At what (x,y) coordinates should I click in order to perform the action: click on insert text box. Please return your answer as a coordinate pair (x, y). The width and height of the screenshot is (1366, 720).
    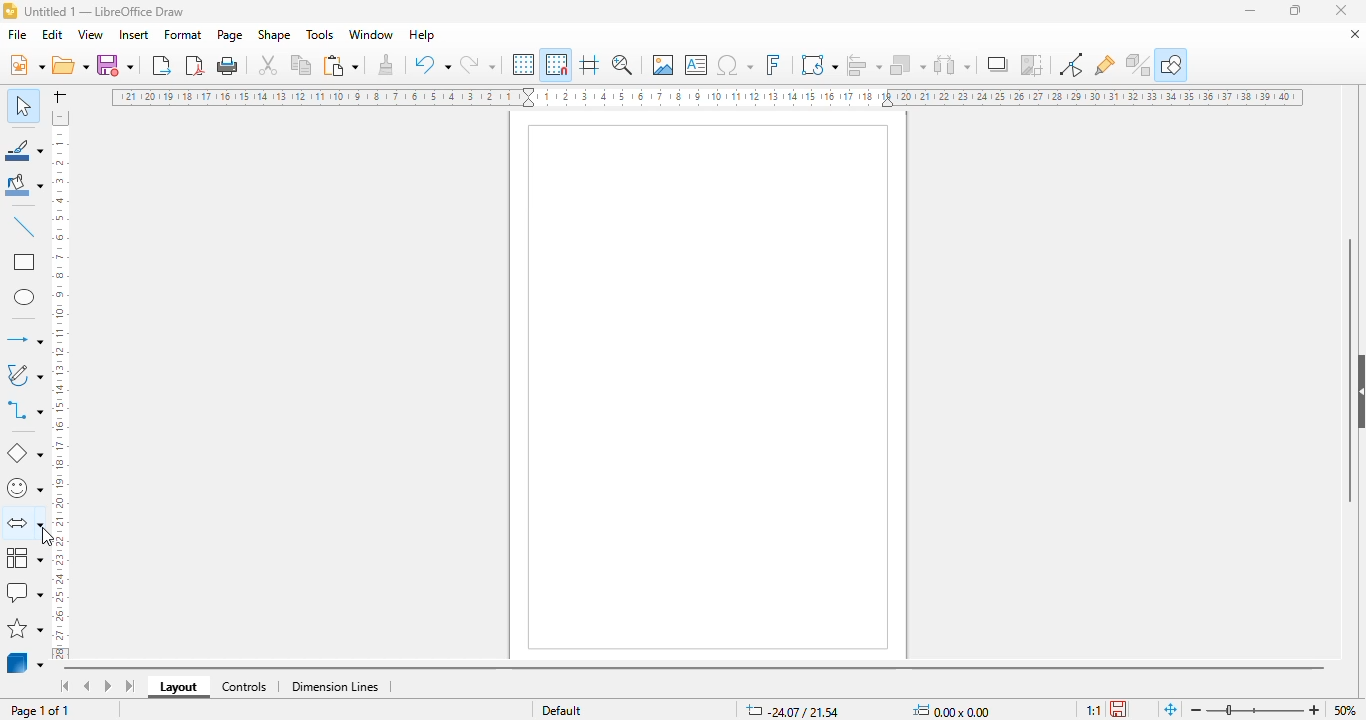
    Looking at the image, I should click on (697, 65).